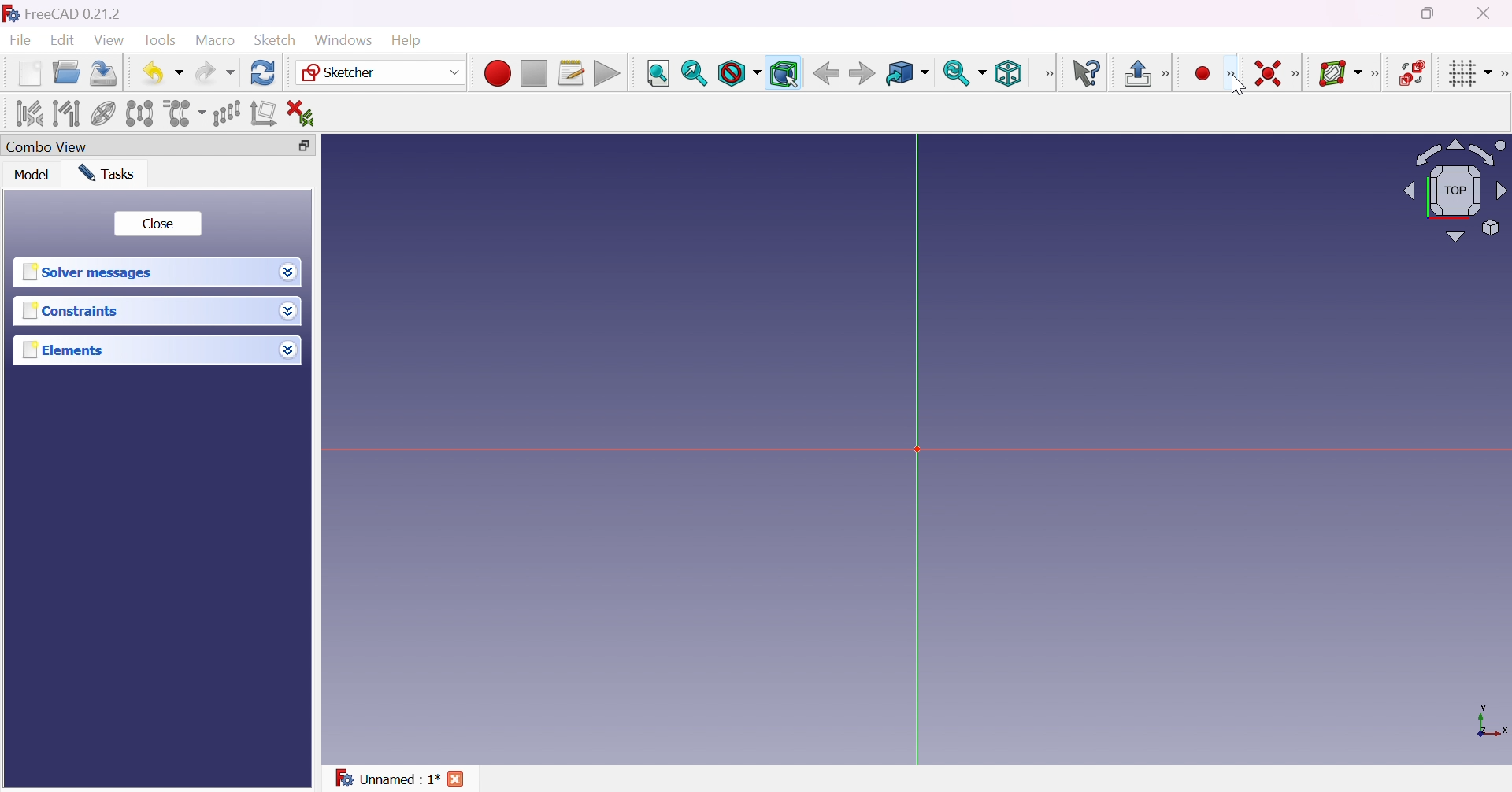  What do you see at coordinates (75, 310) in the screenshot?
I see `Constraints` at bounding box center [75, 310].